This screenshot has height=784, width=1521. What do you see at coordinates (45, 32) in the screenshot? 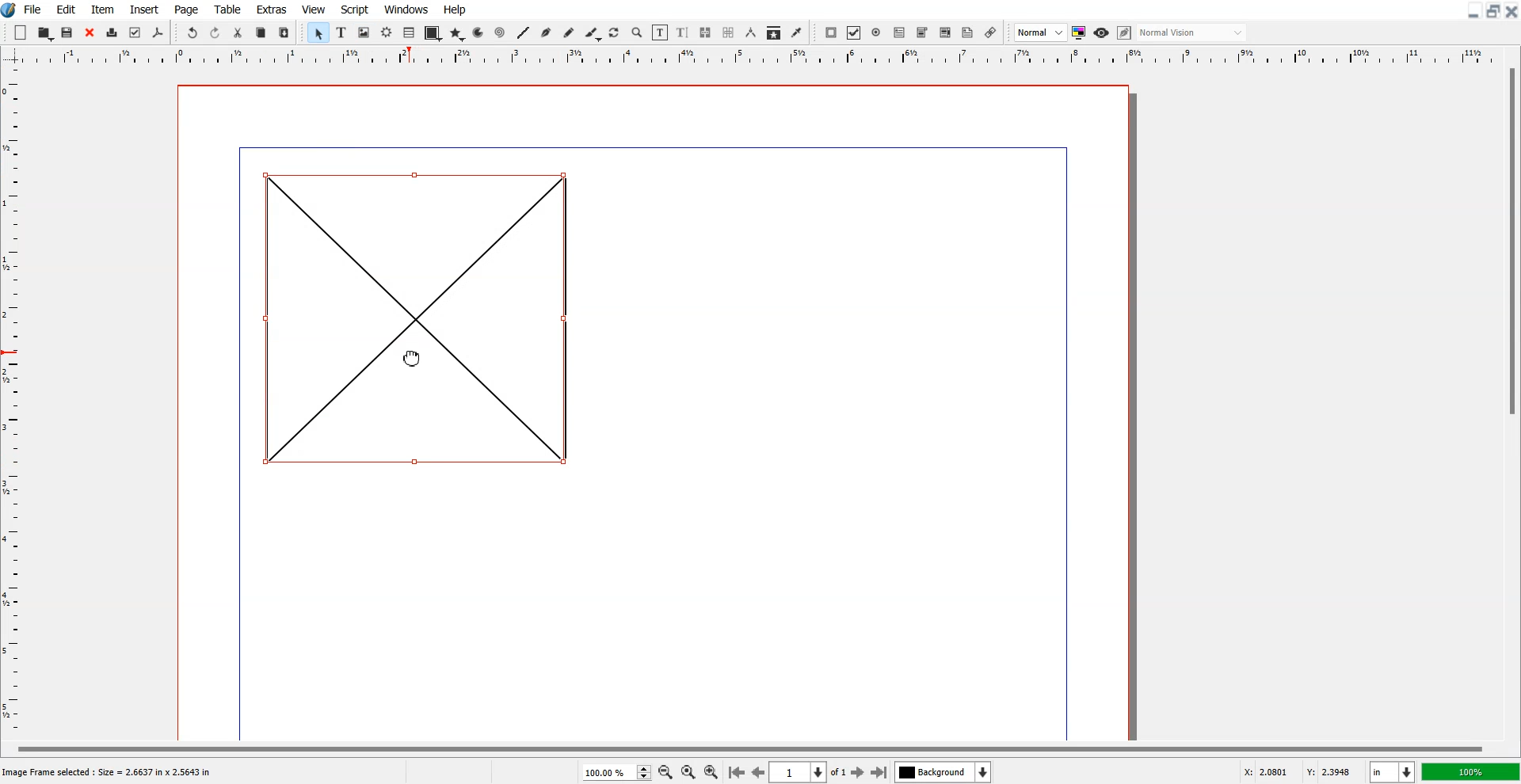
I see `Open` at bounding box center [45, 32].